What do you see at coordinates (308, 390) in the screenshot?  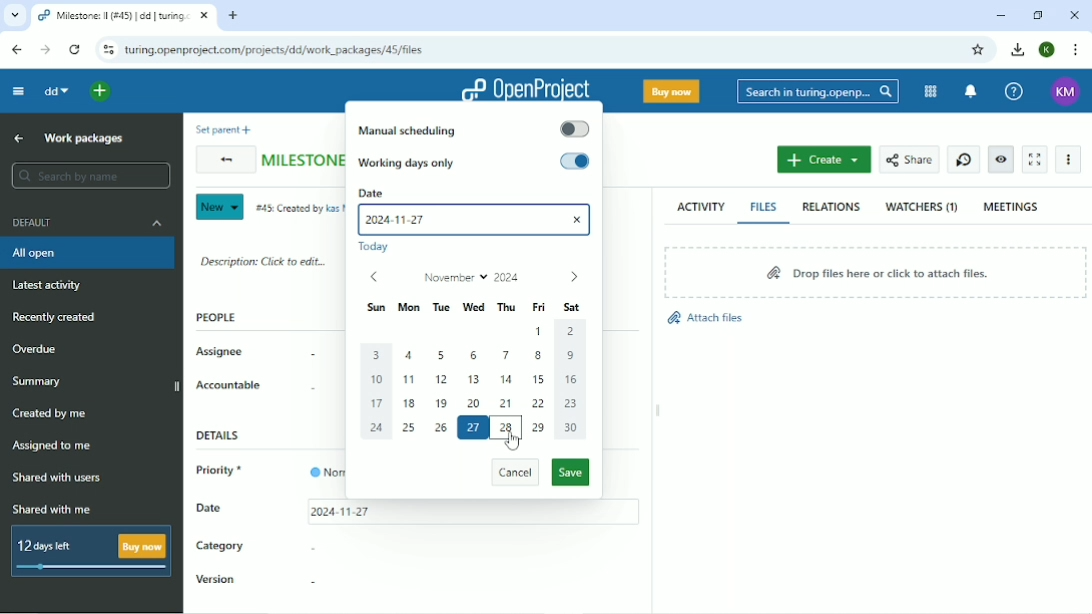 I see `-` at bounding box center [308, 390].